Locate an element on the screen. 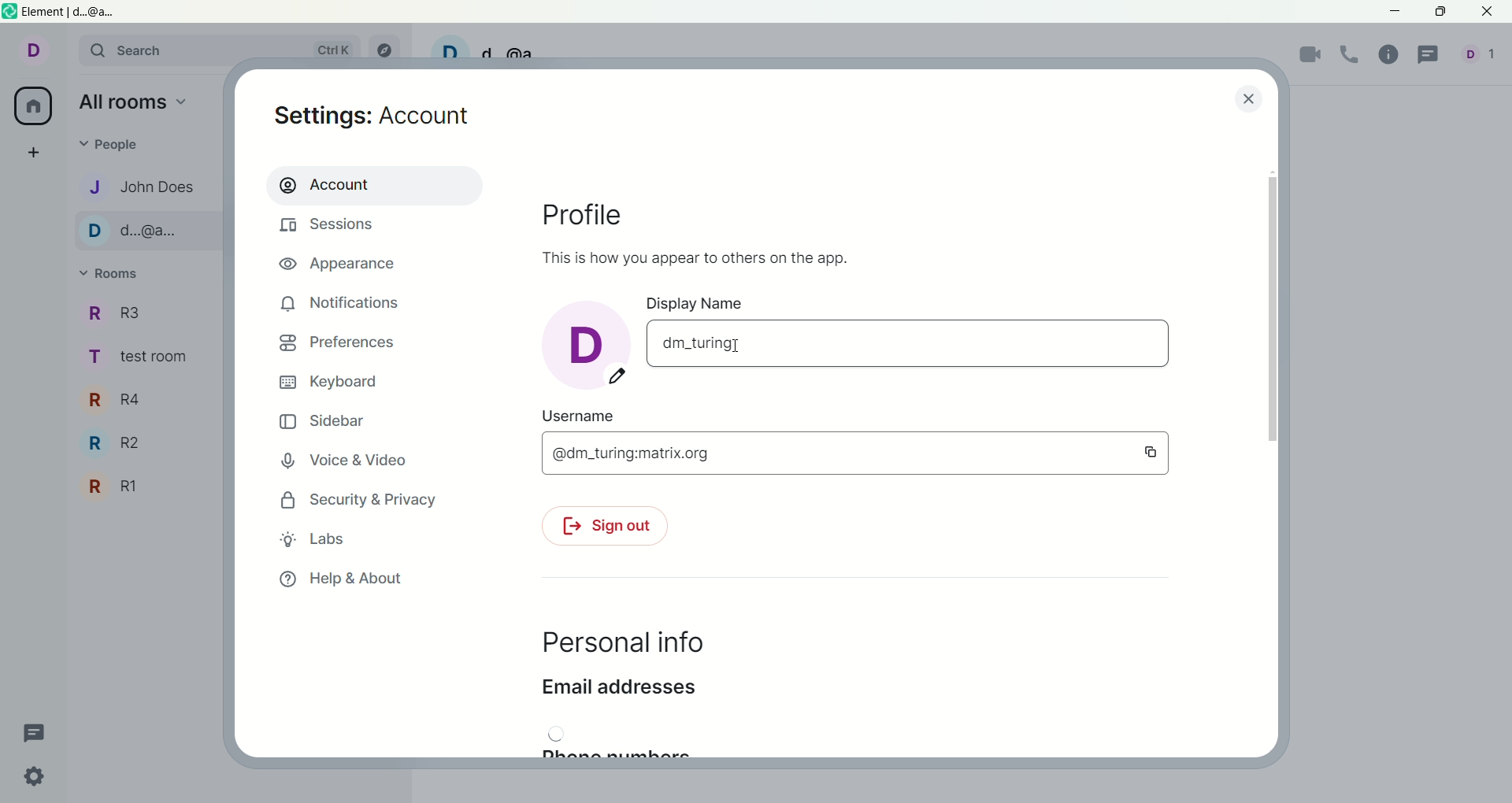  threads is located at coordinates (1431, 55).